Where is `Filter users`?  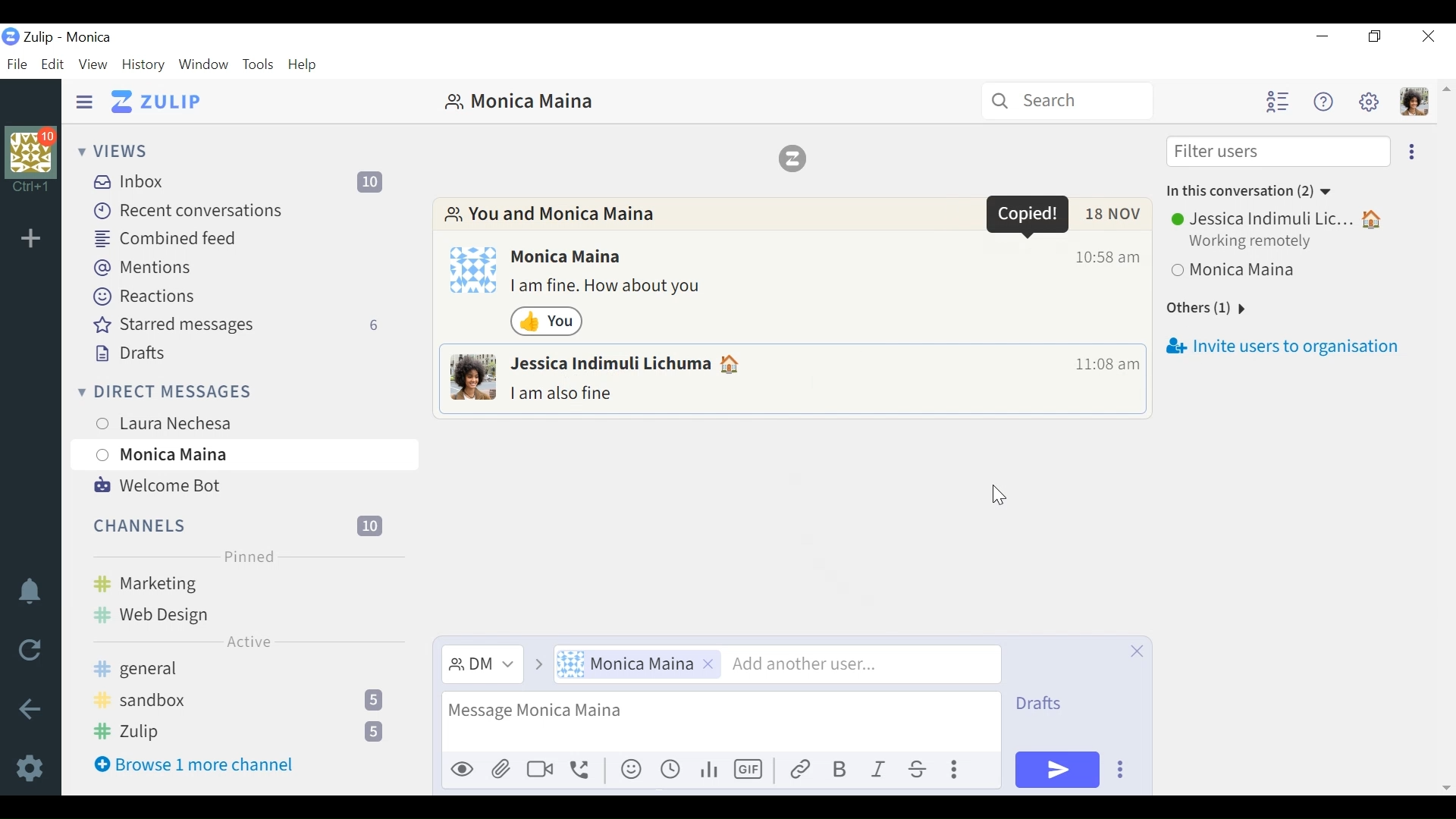
Filter users is located at coordinates (1278, 152).